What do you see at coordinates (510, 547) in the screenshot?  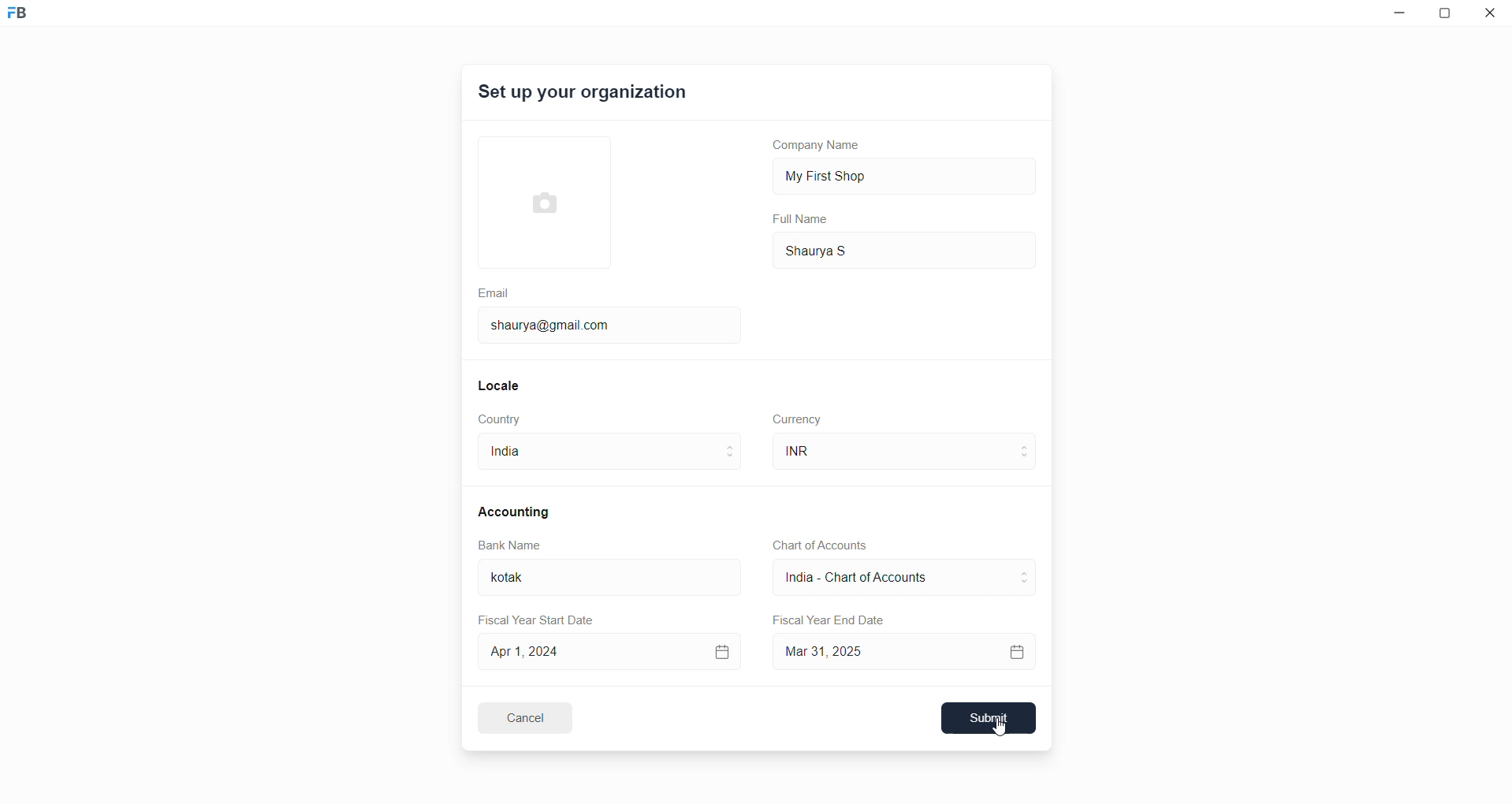 I see `Bank Name` at bounding box center [510, 547].